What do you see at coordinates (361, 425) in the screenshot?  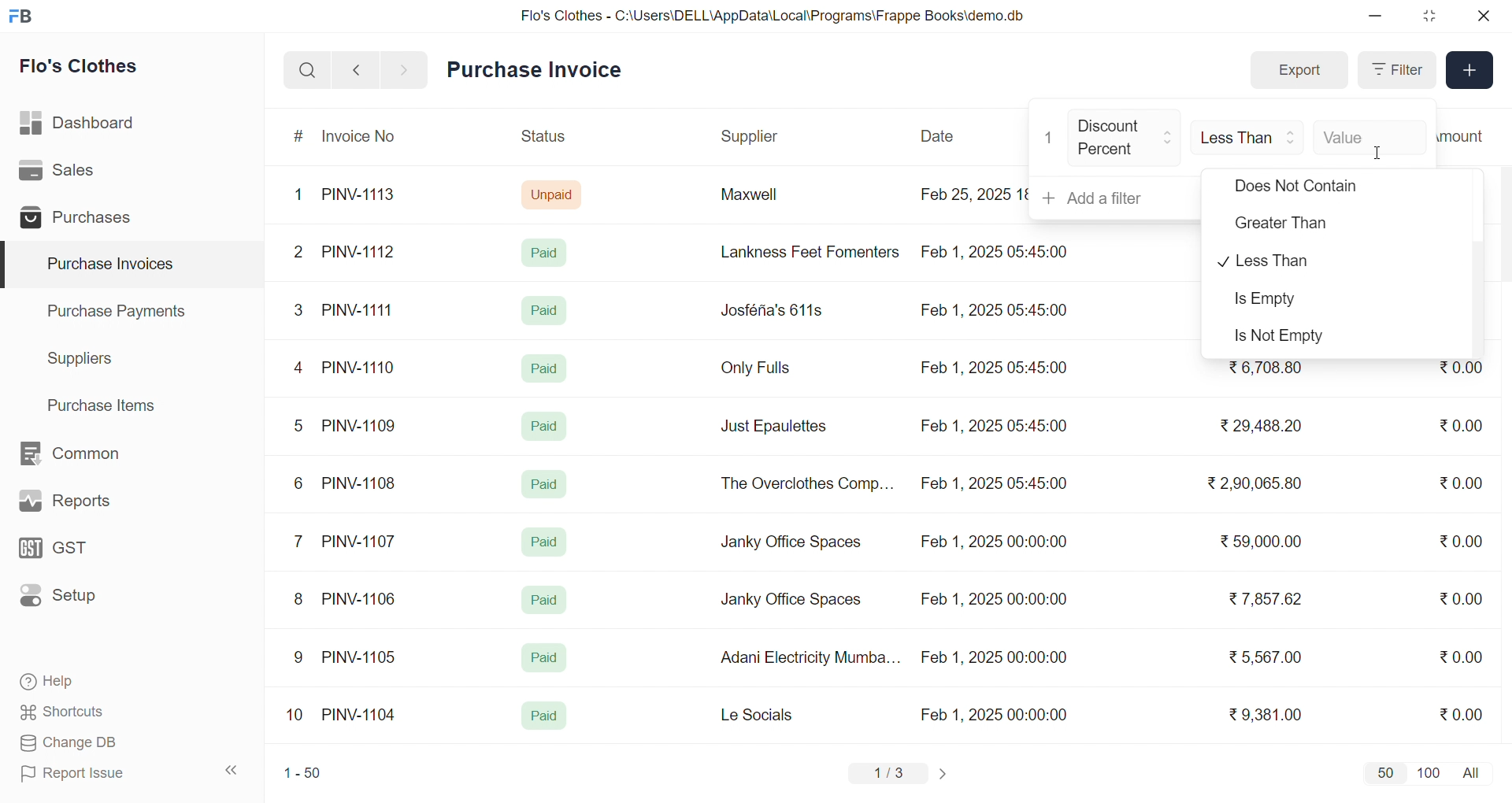 I see `PINV-1109` at bounding box center [361, 425].